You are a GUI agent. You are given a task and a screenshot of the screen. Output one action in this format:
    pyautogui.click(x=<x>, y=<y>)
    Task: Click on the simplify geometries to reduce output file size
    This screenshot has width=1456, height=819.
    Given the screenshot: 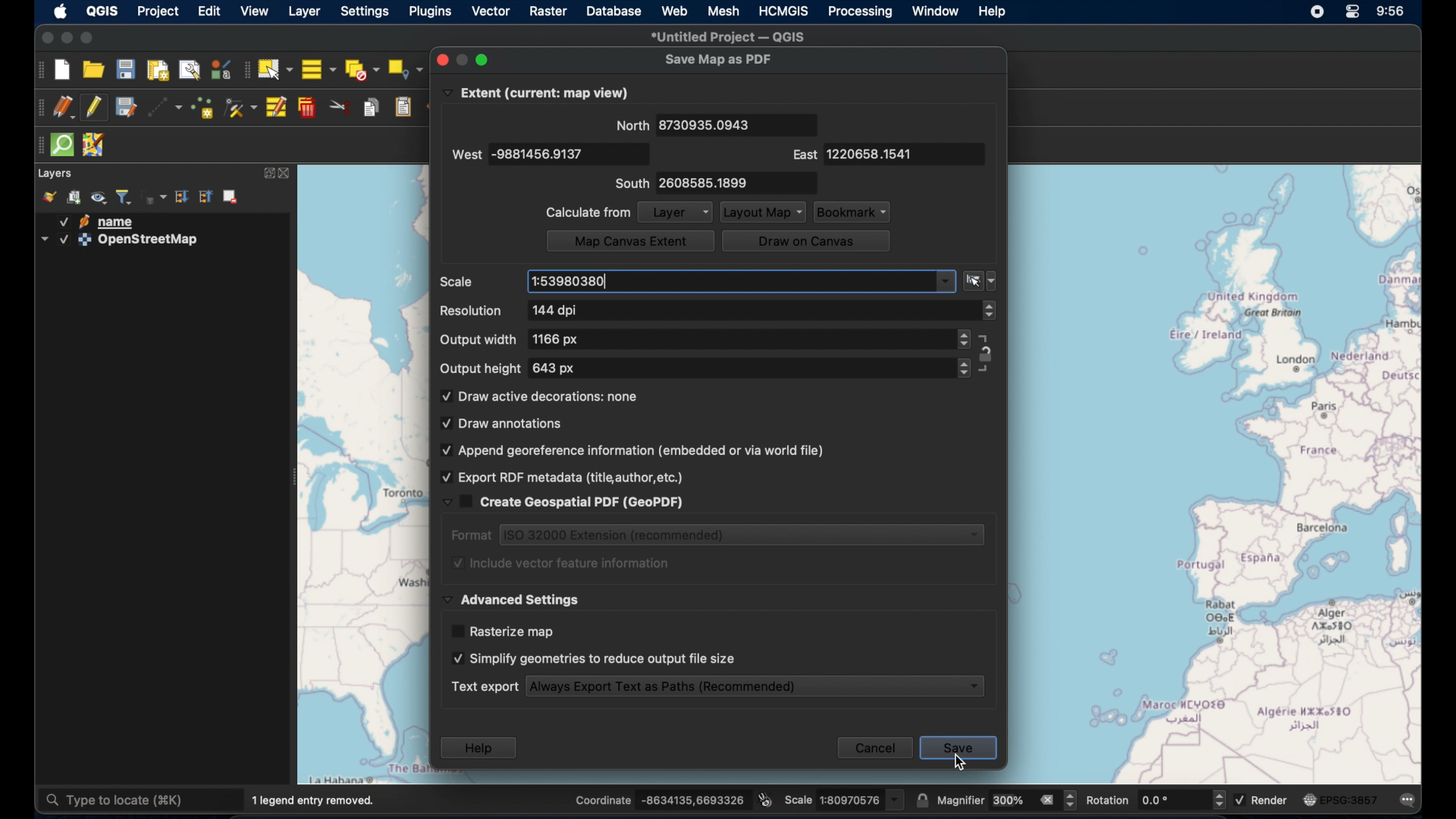 What is the action you would take?
    pyautogui.click(x=592, y=656)
    